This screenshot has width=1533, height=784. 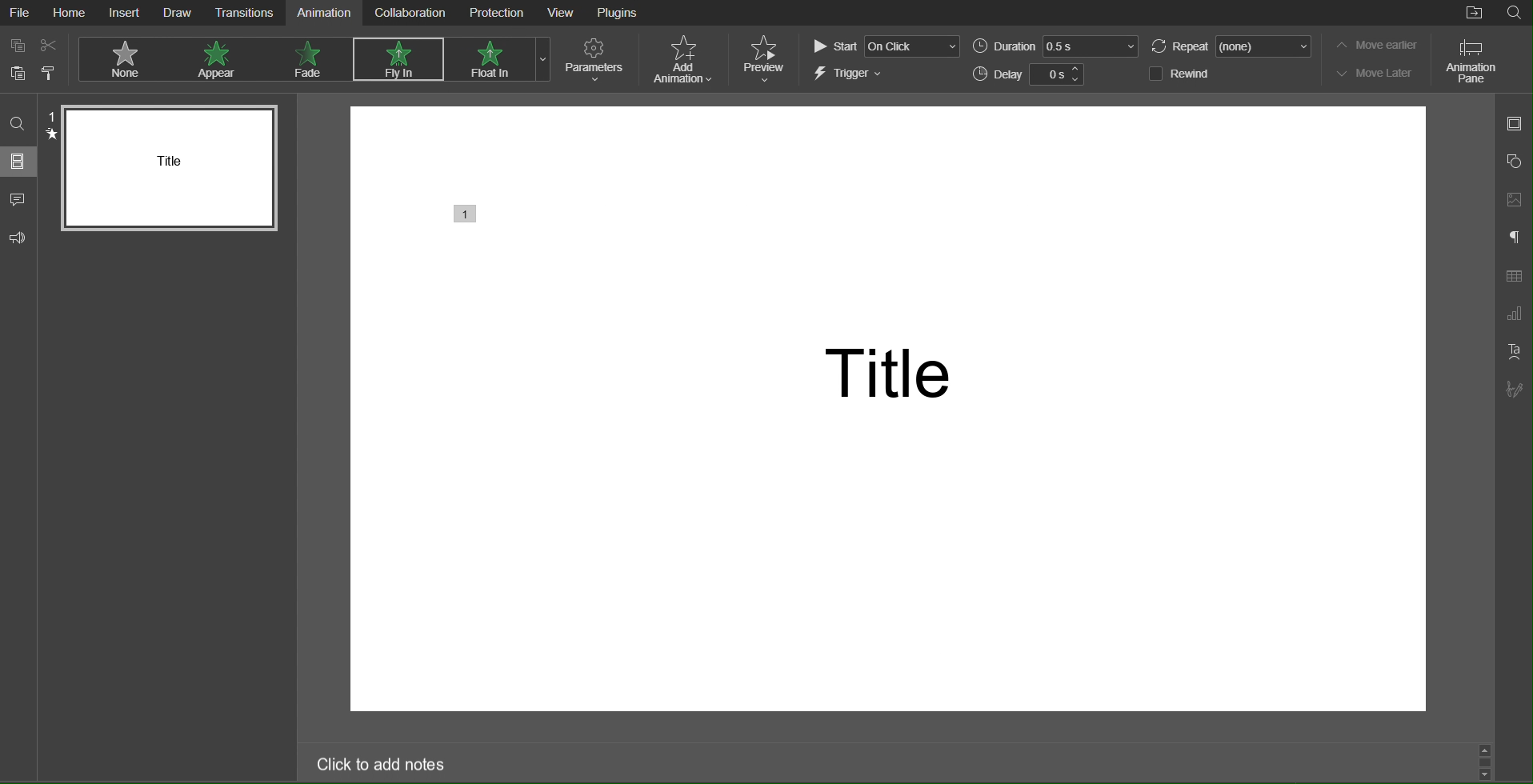 I want to click on Preview, so click(x=764, y=58).